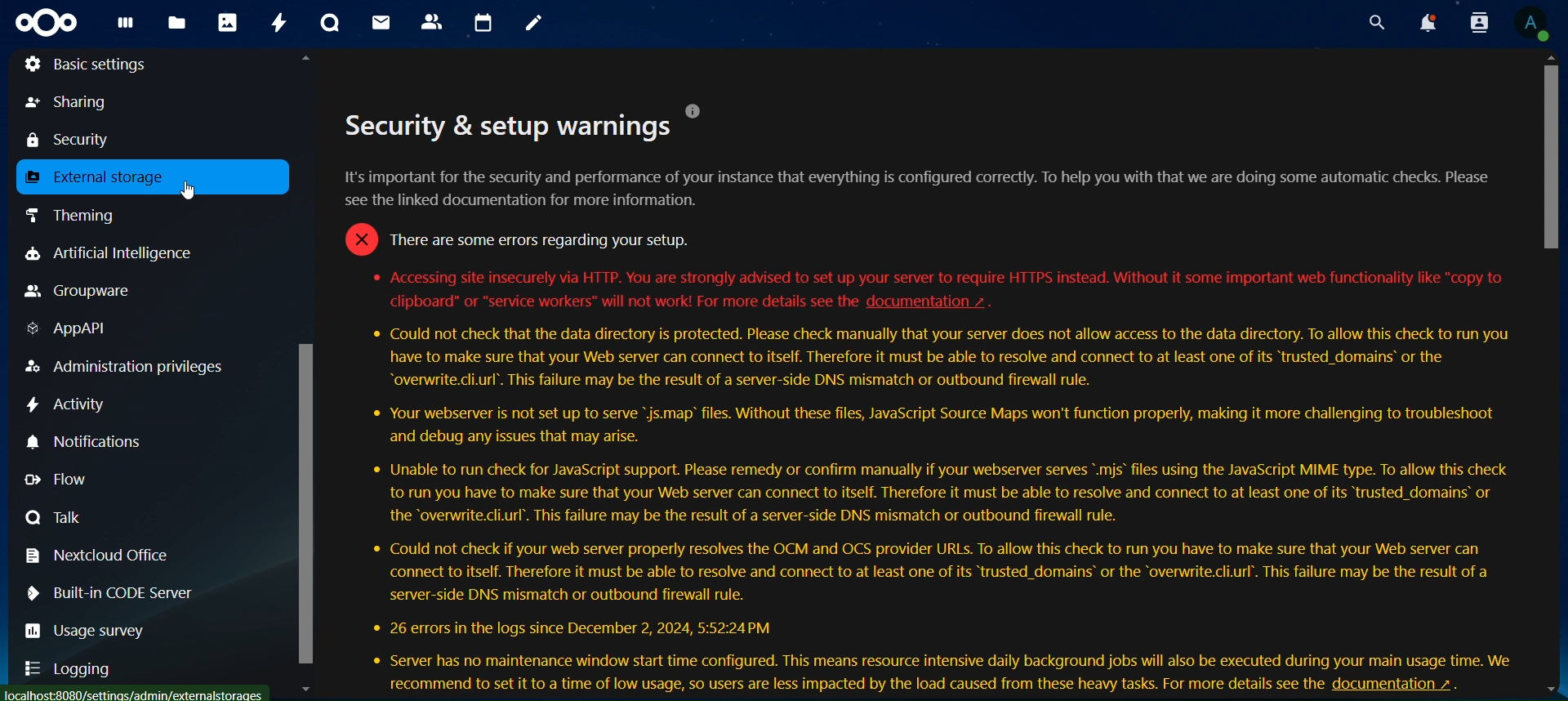  What do you see at coordinates (93, 553) in the screenshot?
I see `nextcloud office` at bounding box center [93, 553].